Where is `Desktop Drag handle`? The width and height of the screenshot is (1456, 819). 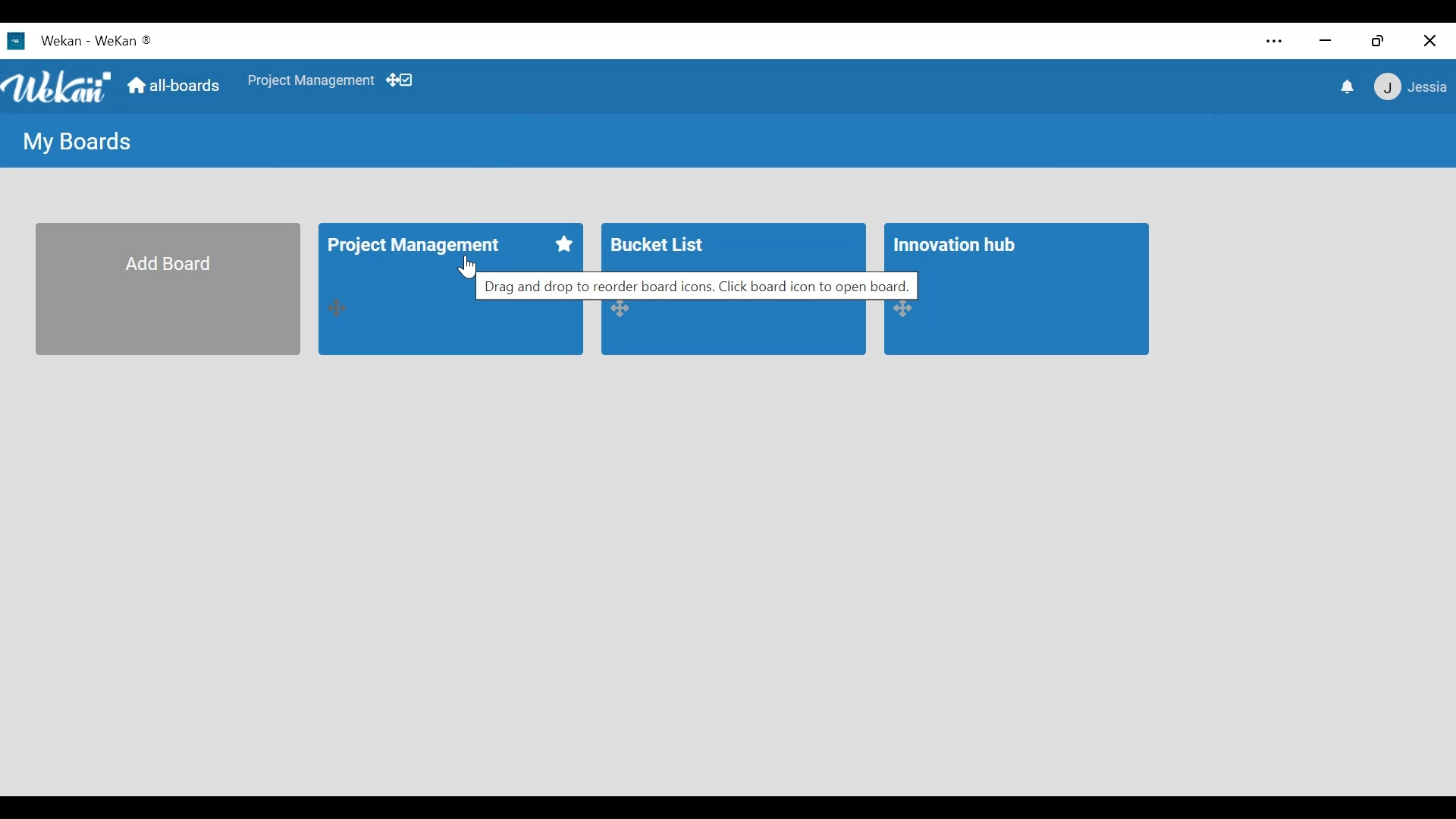
Desktop Drag handle is located at coordinates (621, 309).